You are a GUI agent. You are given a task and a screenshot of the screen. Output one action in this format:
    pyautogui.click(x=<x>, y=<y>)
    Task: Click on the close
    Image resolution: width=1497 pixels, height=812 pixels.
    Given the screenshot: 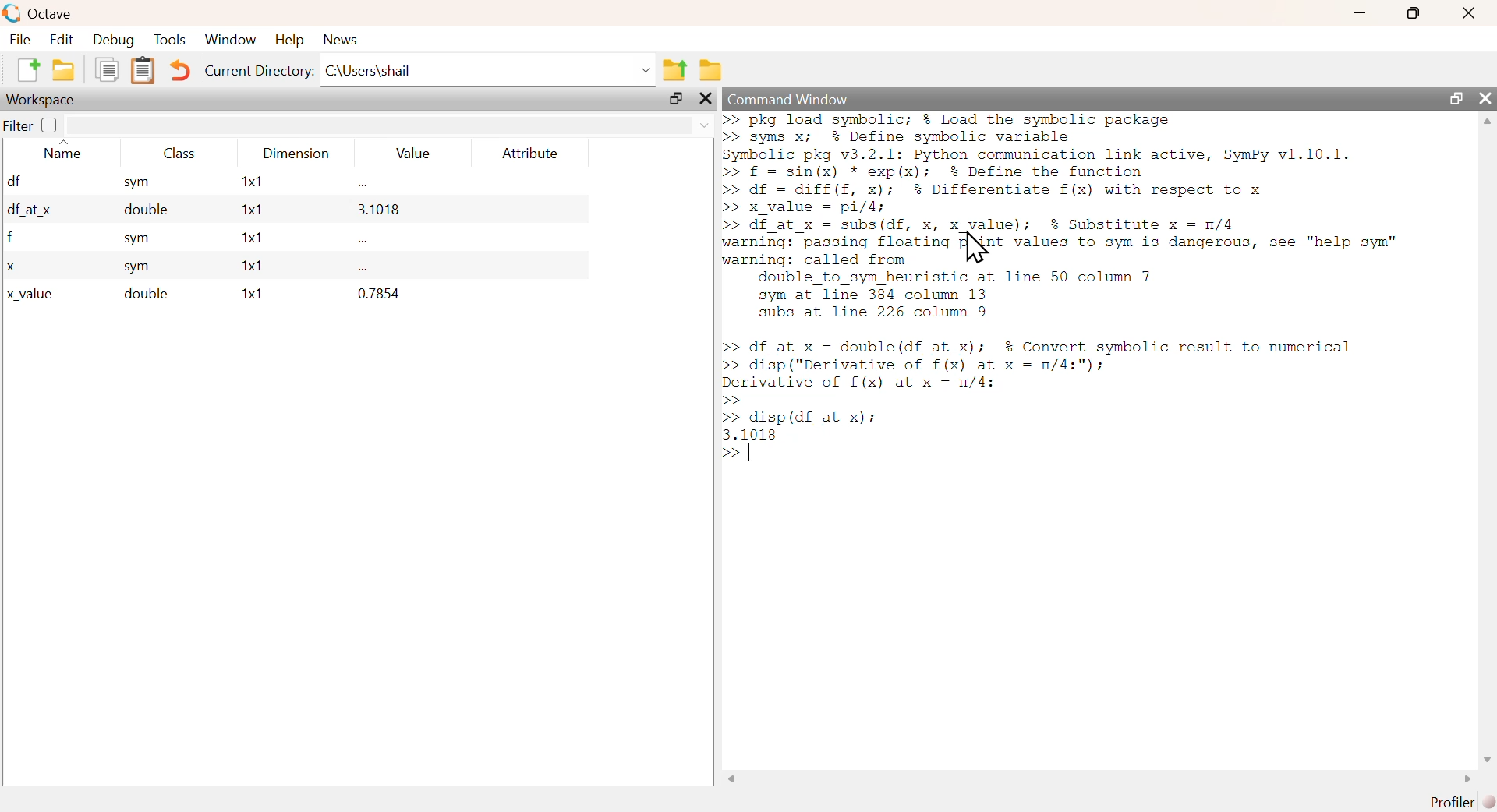 What is the action you would take?
    pyautogui.click(x=704, y=98)
    